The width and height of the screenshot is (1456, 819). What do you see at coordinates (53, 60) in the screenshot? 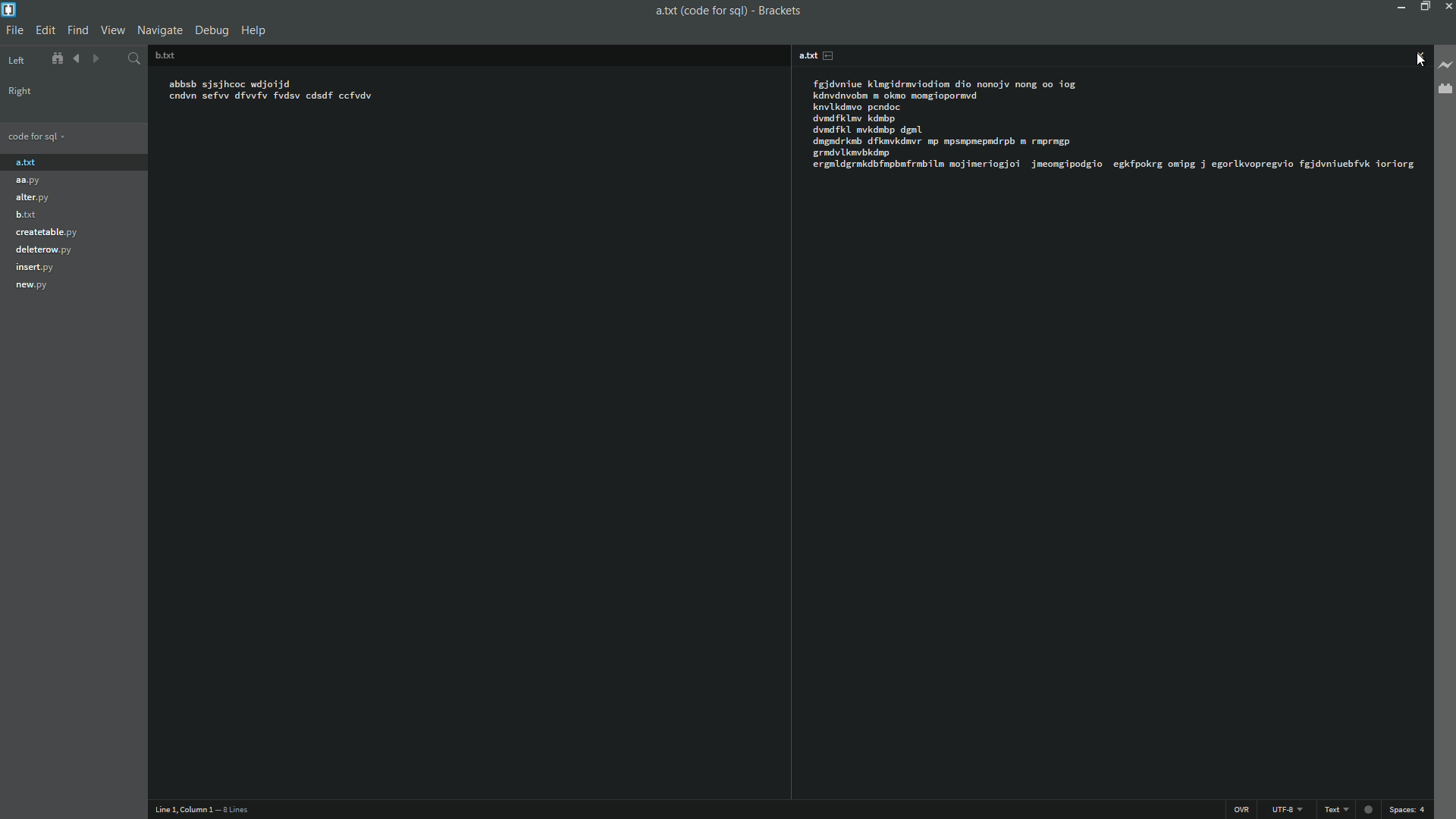
I see `show in file tree` at bounding box center [53, 60].